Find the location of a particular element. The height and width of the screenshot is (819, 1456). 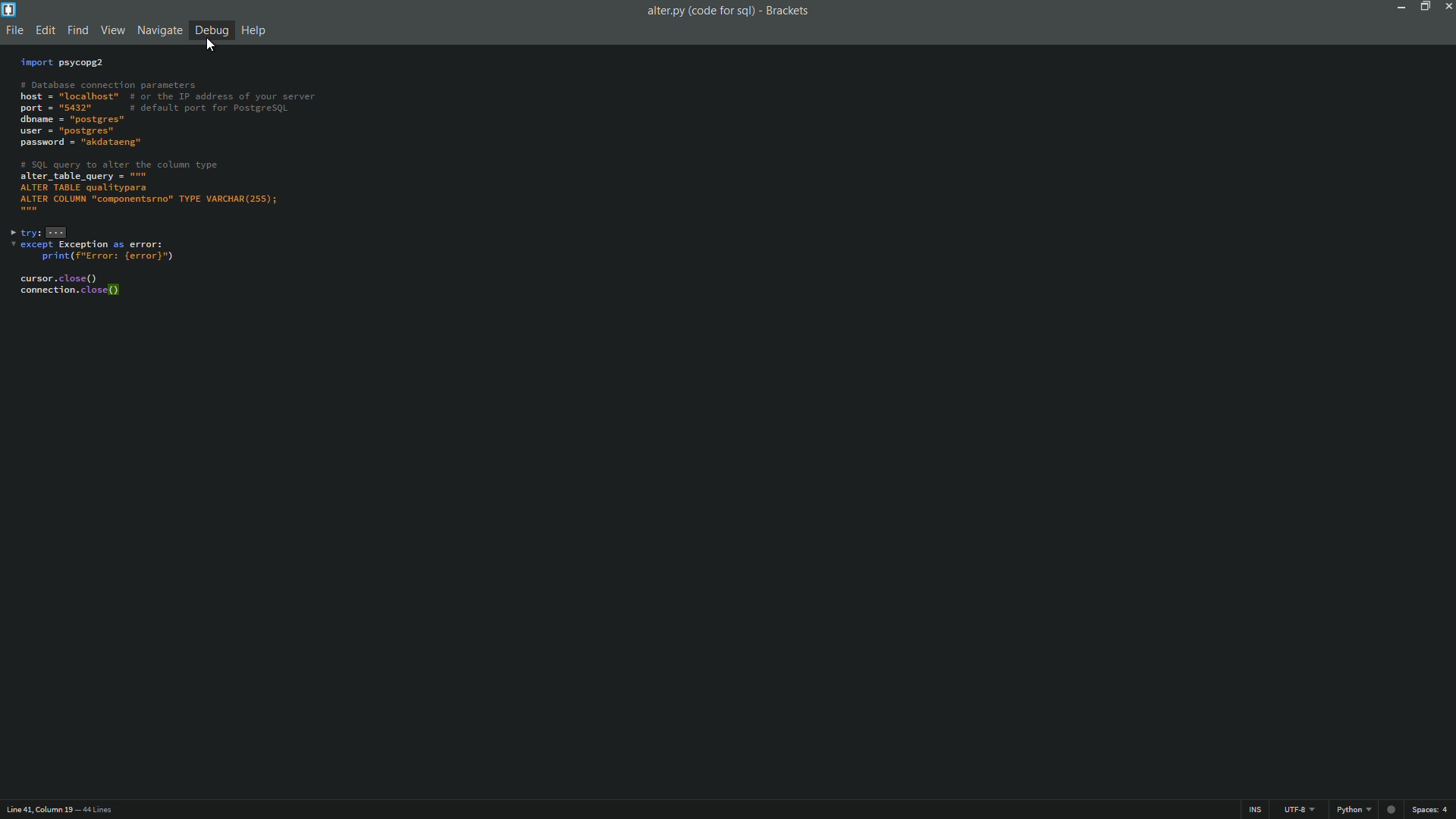

code is located at coordinates (184, 178).